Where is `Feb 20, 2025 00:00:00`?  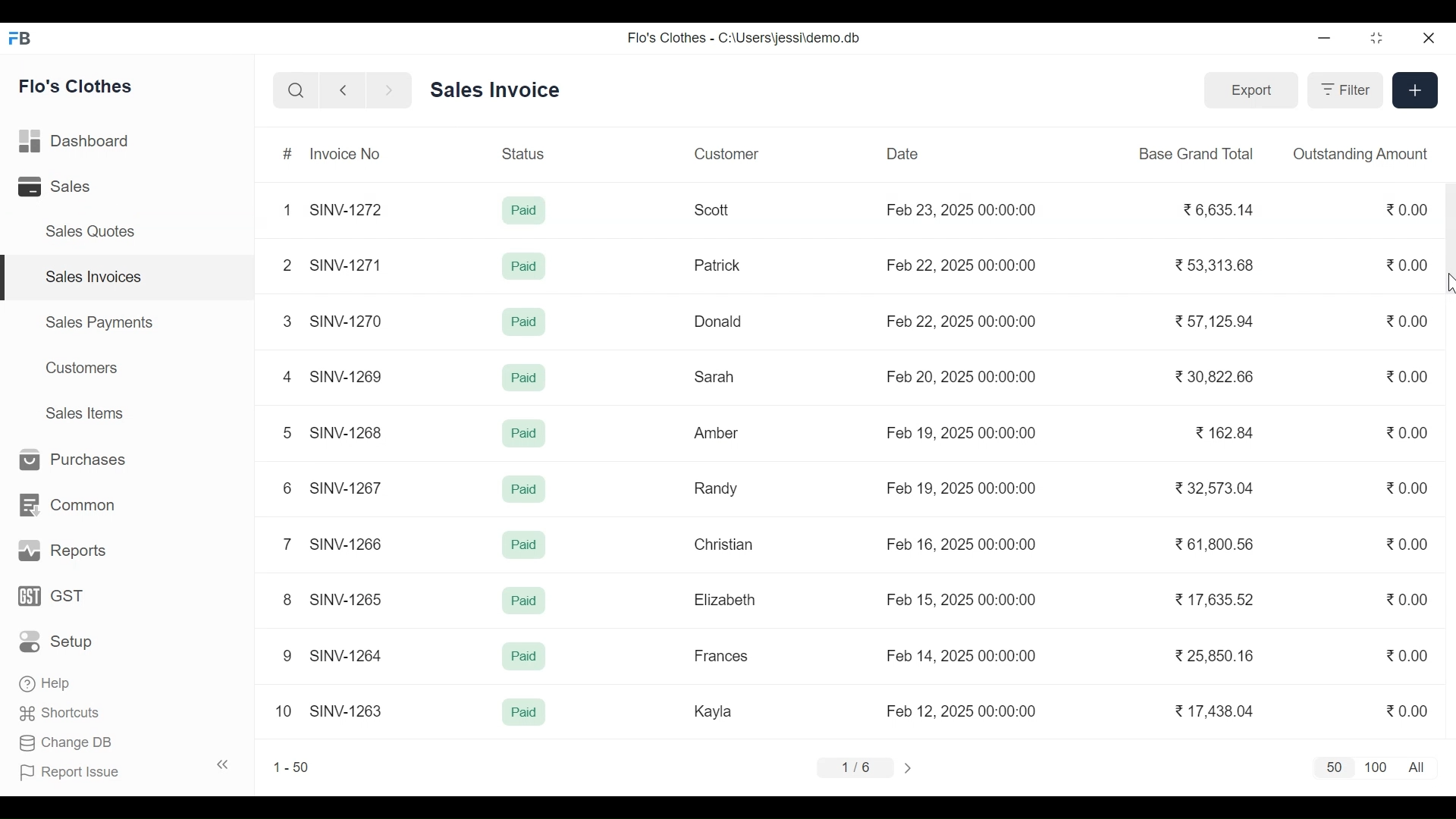
Feb 20, 2025 00:00:00 is located at coordinates (963, 375).